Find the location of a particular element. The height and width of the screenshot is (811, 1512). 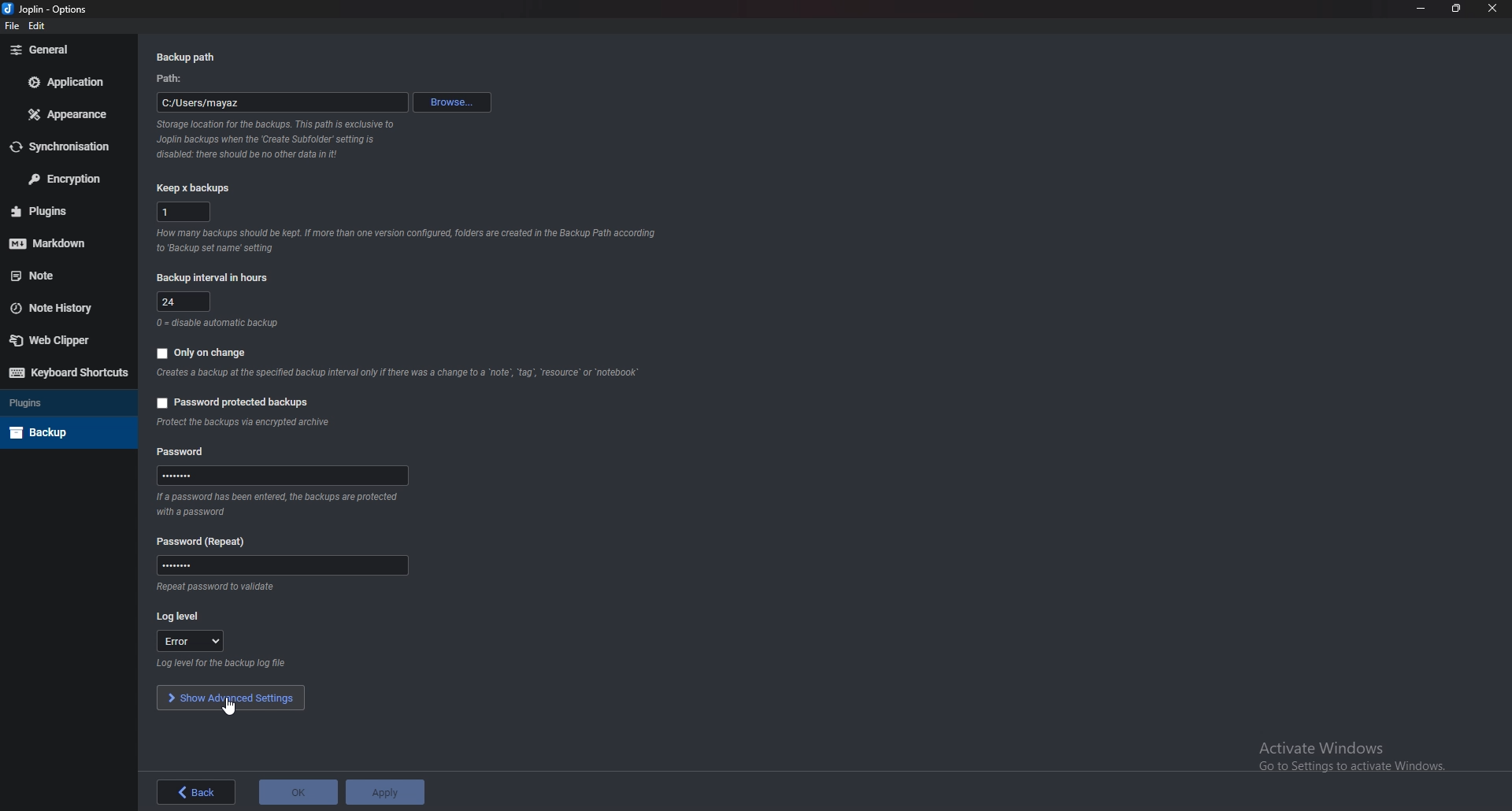

path is located at coordinates (283, 102).